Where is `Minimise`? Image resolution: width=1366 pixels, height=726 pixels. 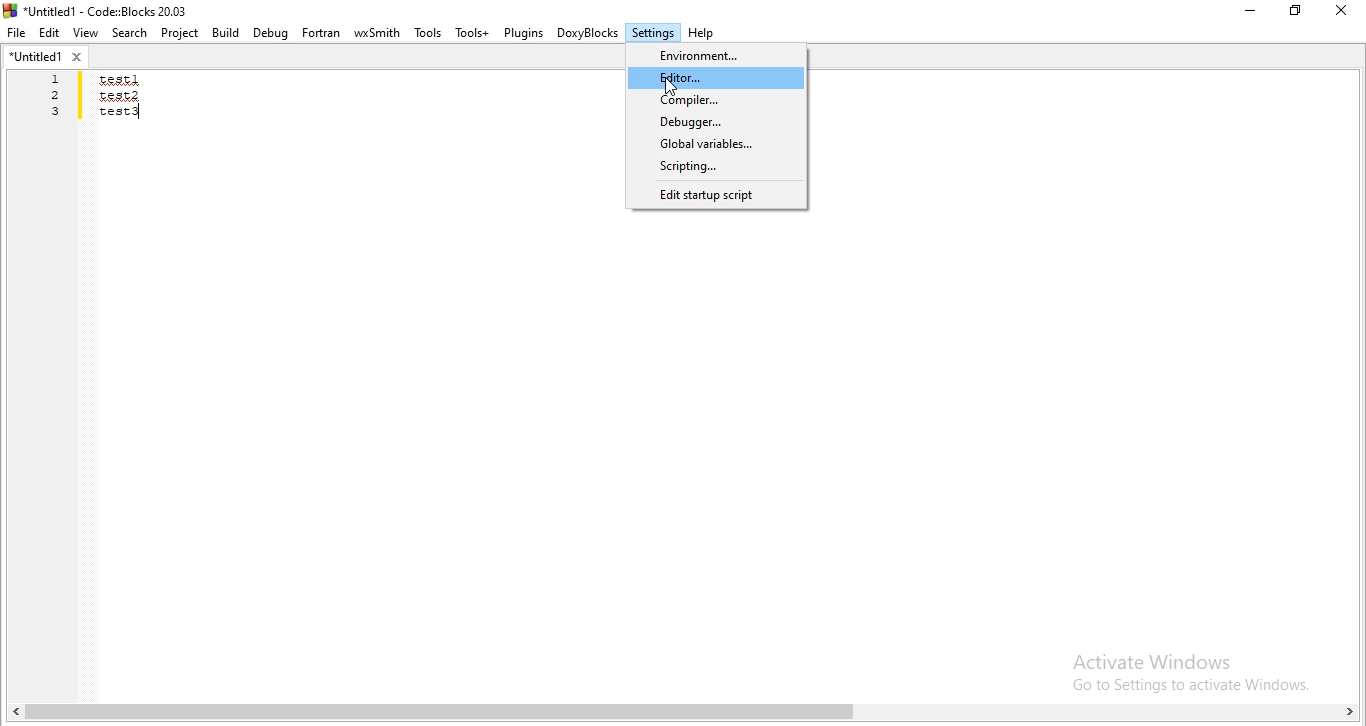
Minimise is located at coordinates (1253, 11).